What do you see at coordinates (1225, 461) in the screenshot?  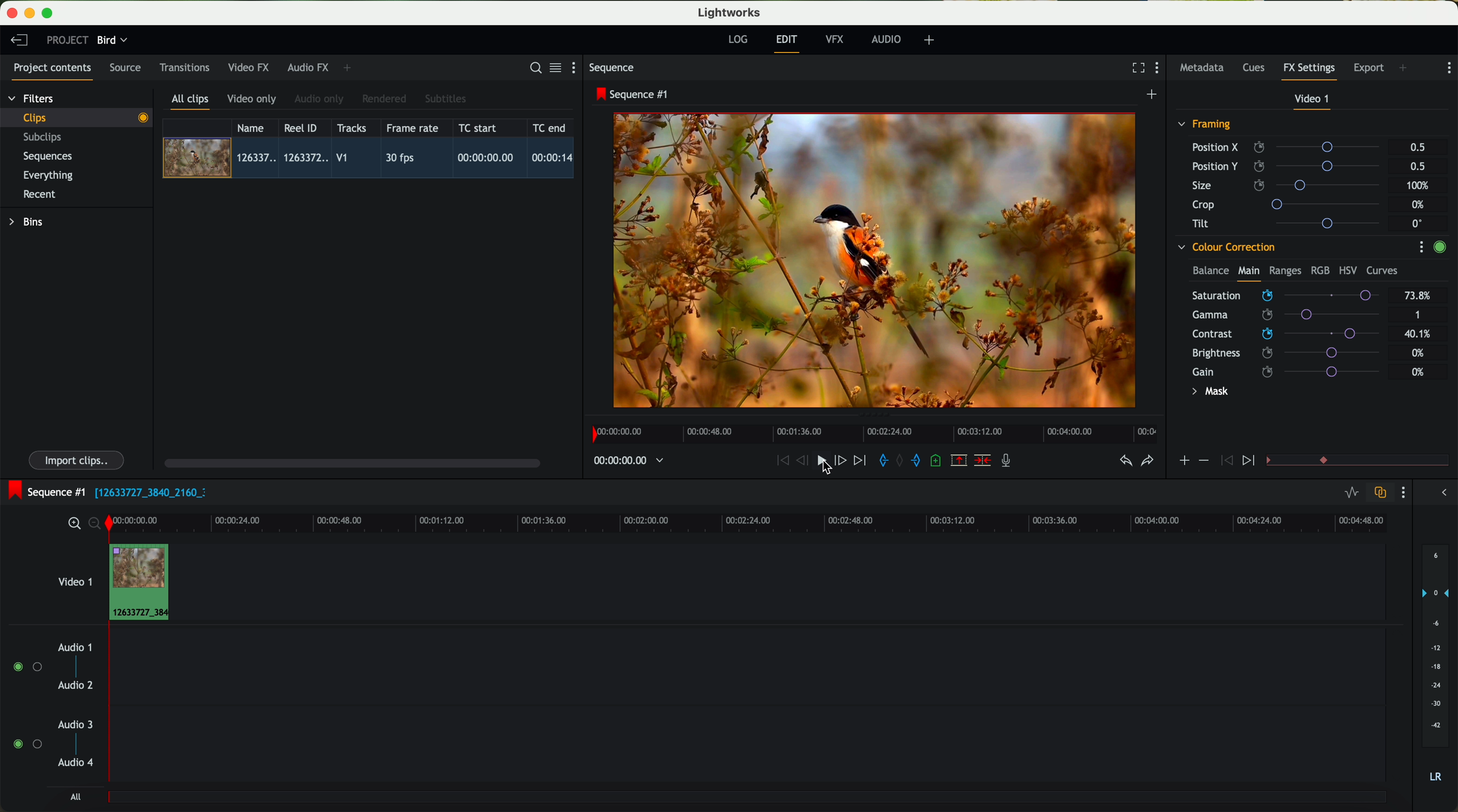 I see `icon` at bounding box center [1225, 461].